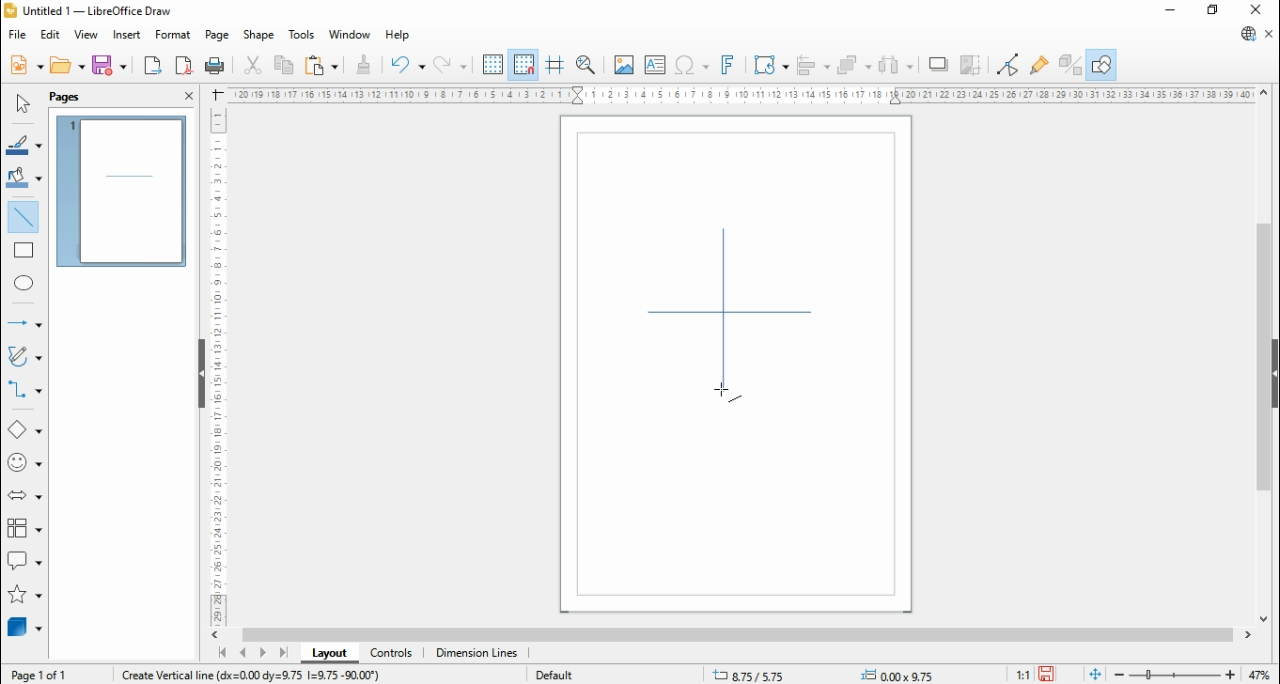 The width and height of the screenshot is (1280, 684). I want to click on save, so click(111, 65).